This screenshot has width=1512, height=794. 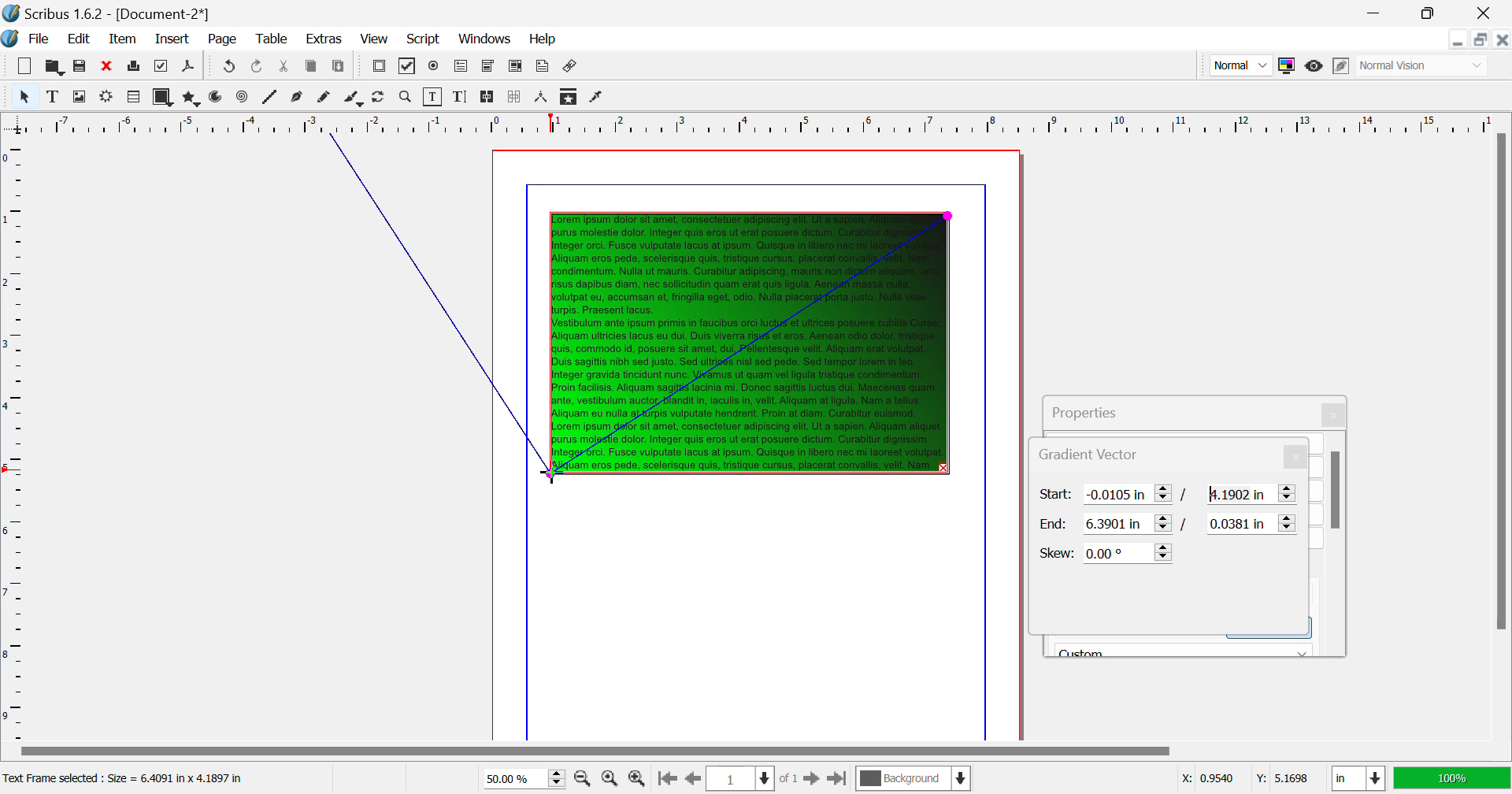 What do you see at coordinates (691, 779) in the screenshot?
I see `Previous Page` at bounding box center [691, 779].